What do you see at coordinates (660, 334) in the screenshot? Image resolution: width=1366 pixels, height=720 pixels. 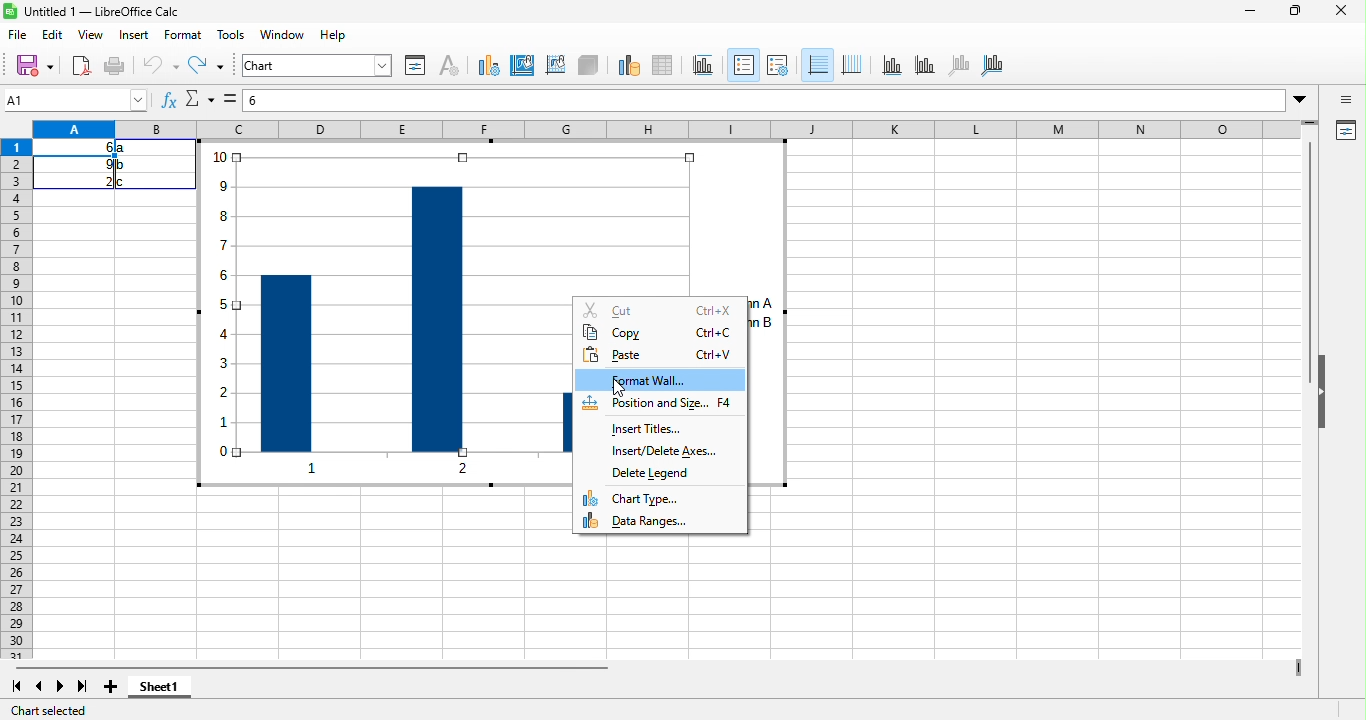 I see `copy` at bounding box center [660, 334].